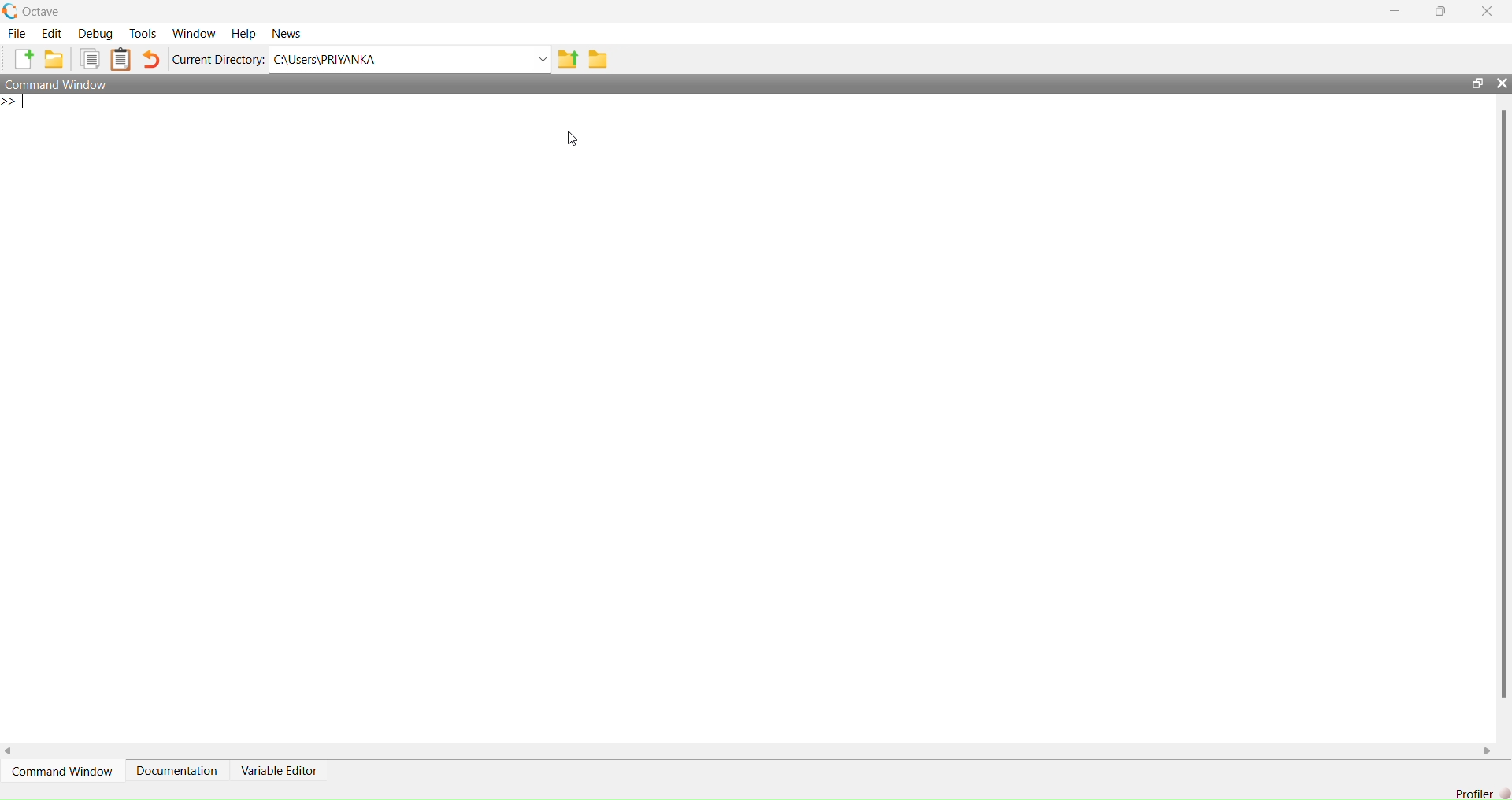 The width and height of the screenshot is (1512, 800). I want to click on Documentation, so click(178, 769).